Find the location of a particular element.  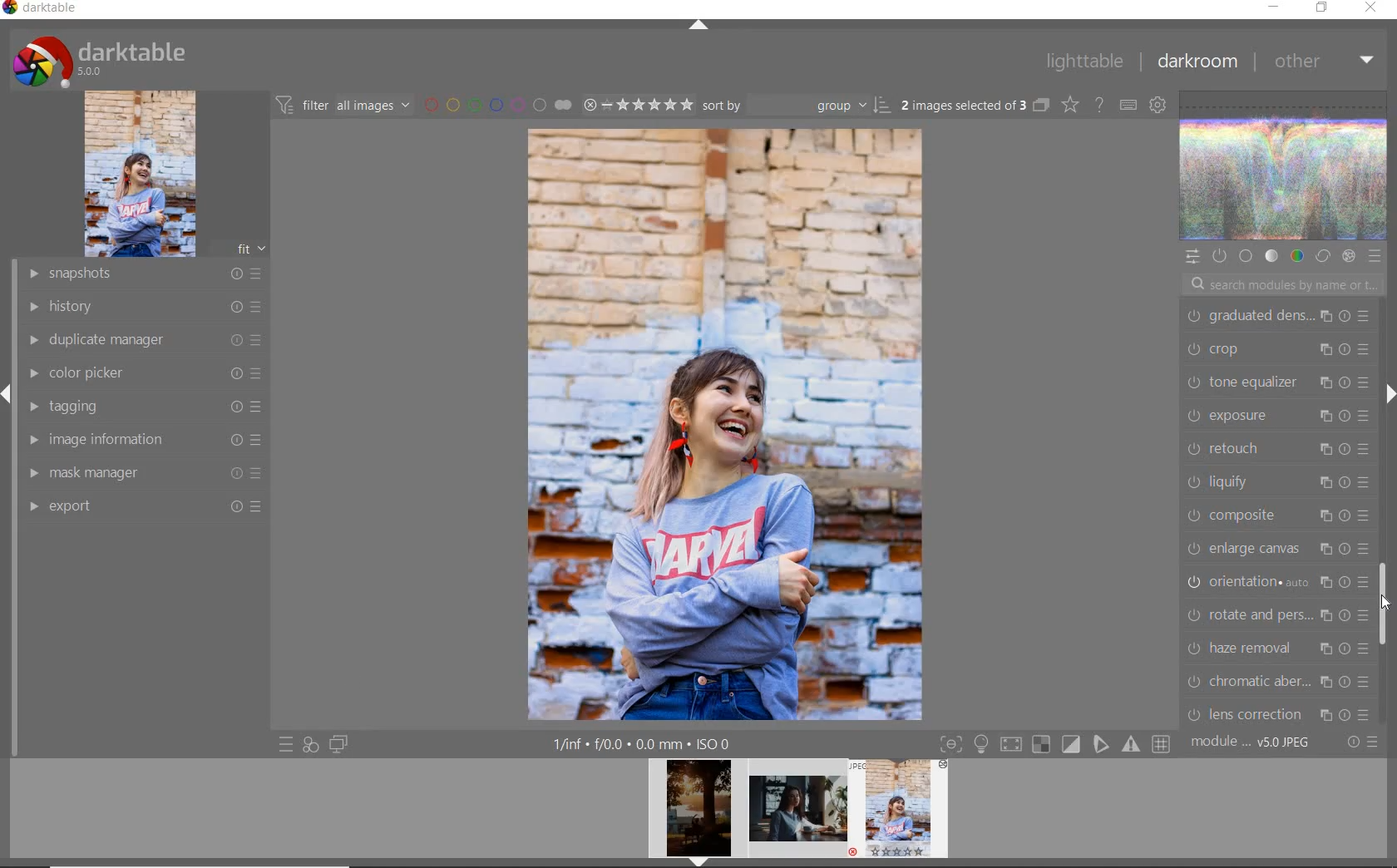

SHOW GLOBAL PREFERENCES is located at coordinates (1156, 104).